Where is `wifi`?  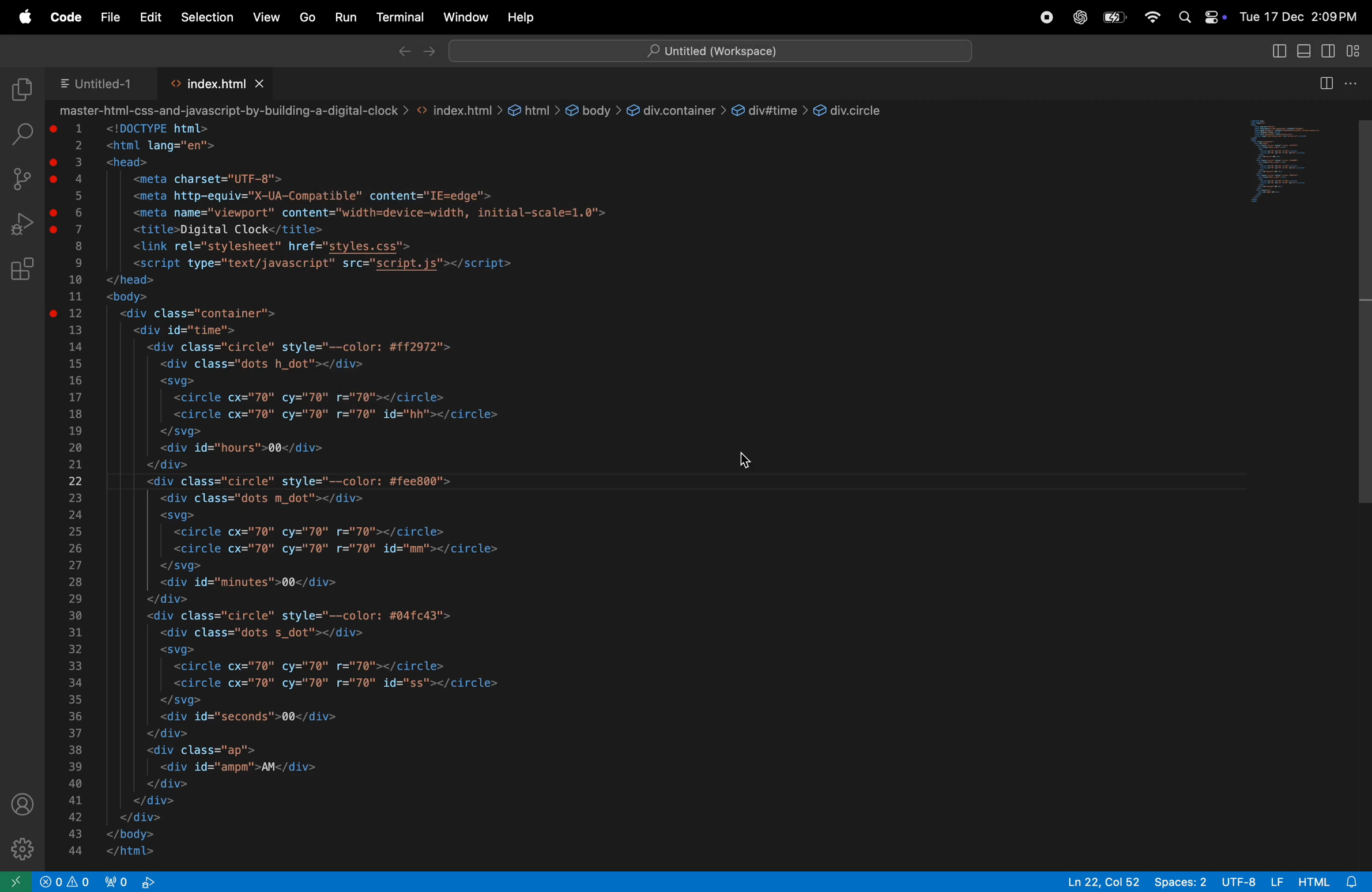
wifi is located at coordinates (1150, 17).